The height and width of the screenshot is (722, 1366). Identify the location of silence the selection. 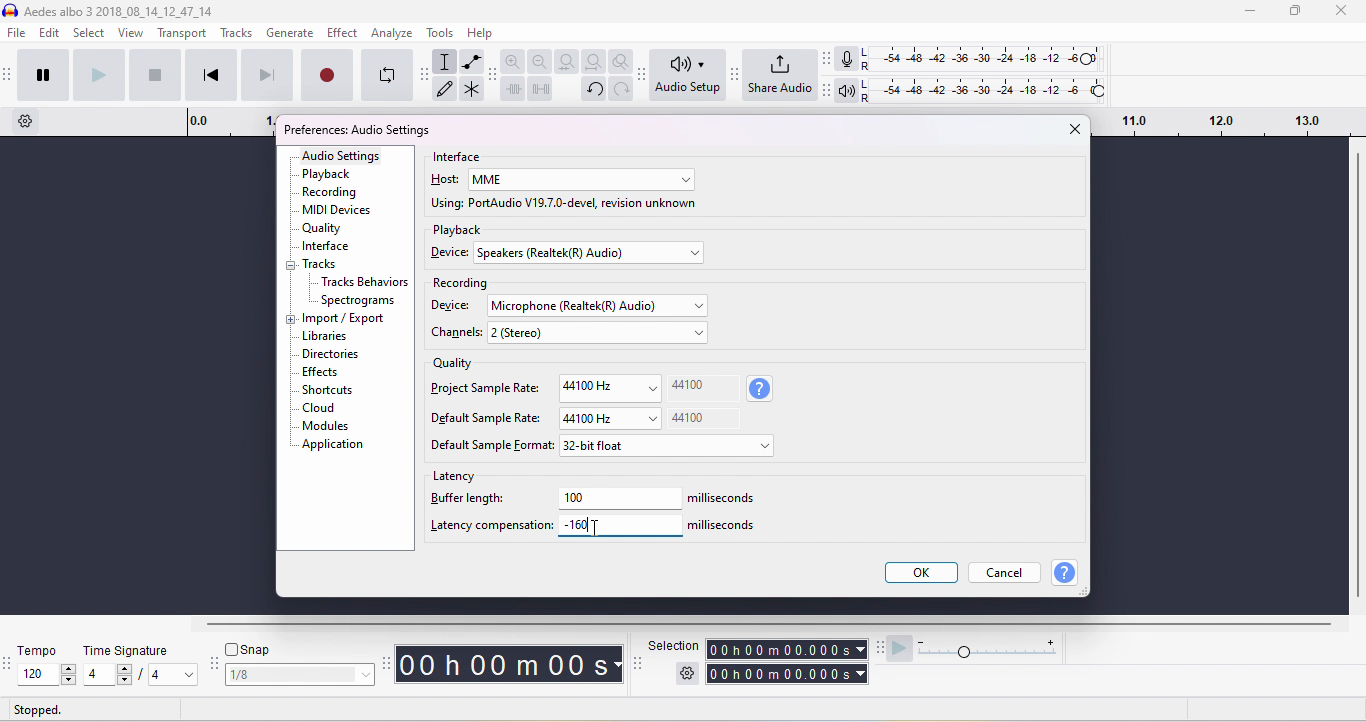
(544, 92).